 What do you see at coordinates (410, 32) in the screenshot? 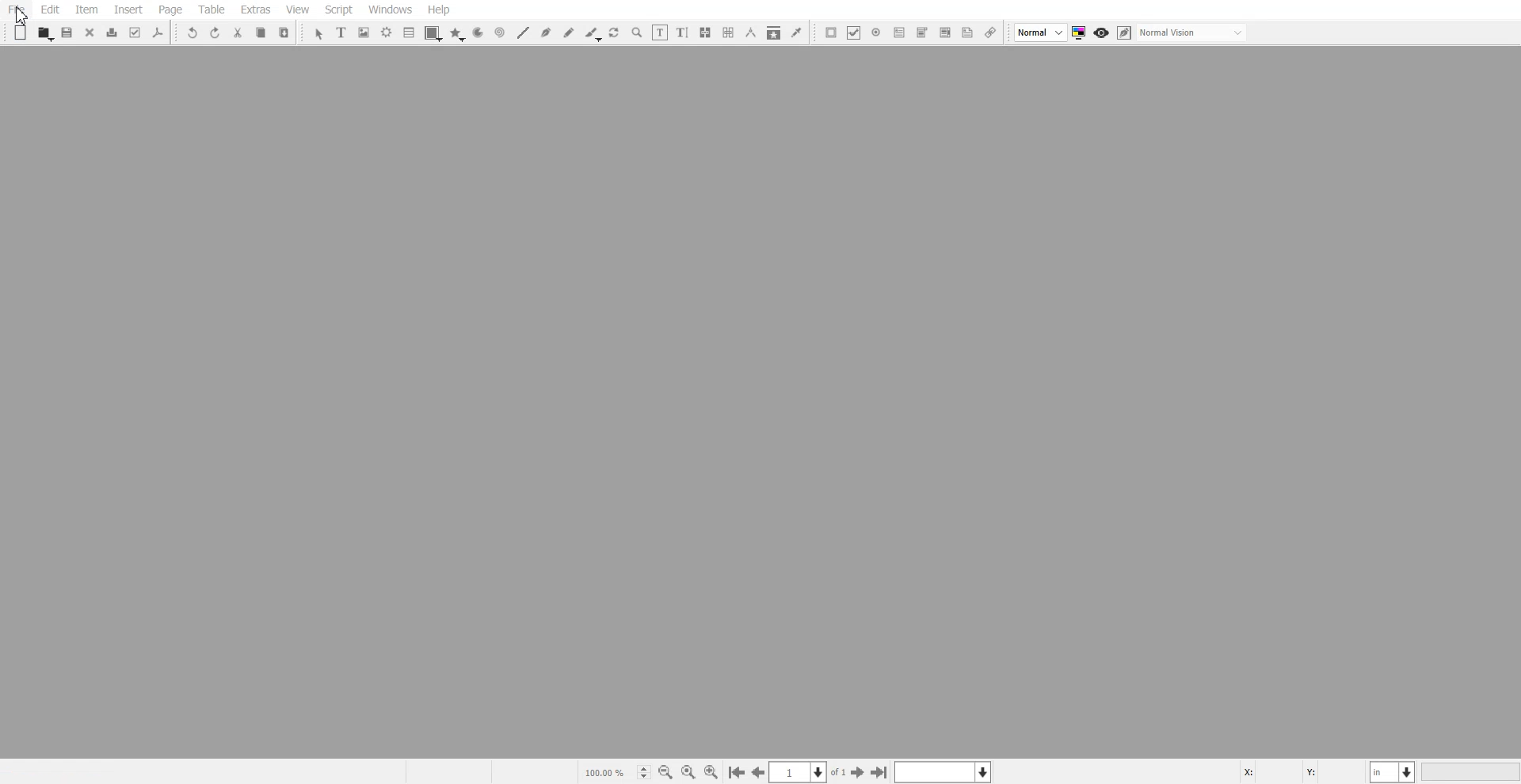
I see `List` at bounding box center [410, 32].